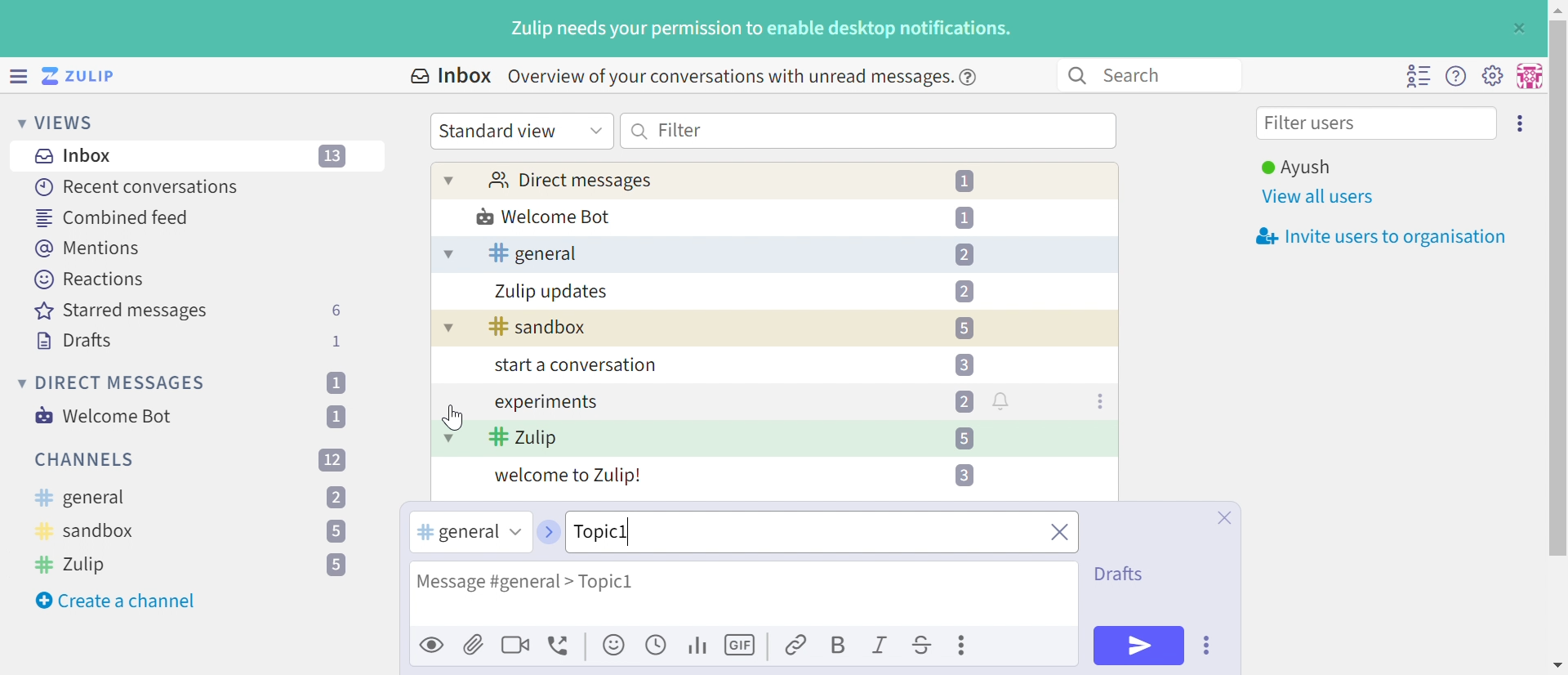 The height and width of the screenshot is (675, 1568). I want to click on Search, so click(1140, 74).